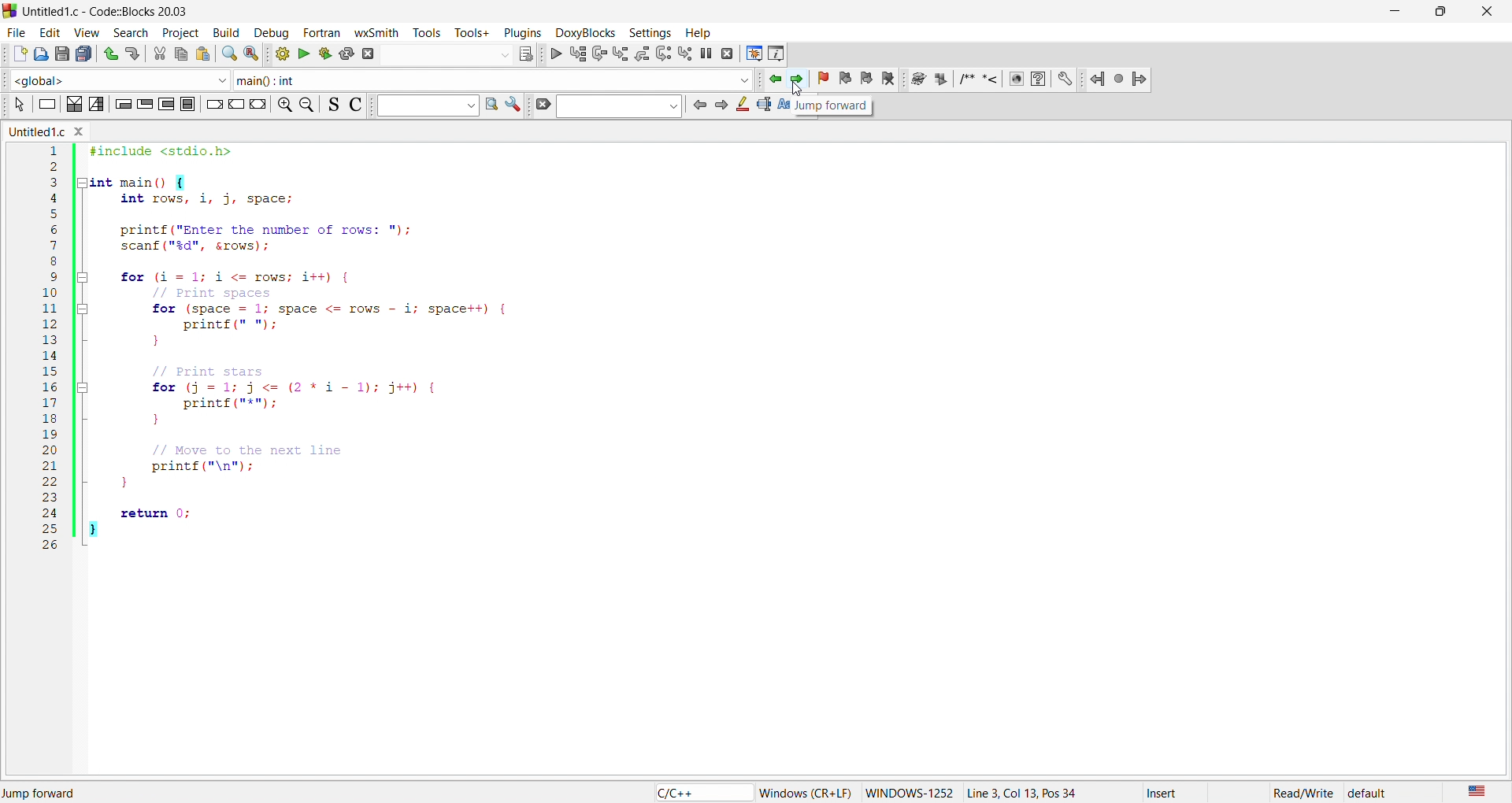 This screenshot has width=1512, height=803. Describe the element at coordinates (720, 105) in the screenshot. I see `icon` at that location.